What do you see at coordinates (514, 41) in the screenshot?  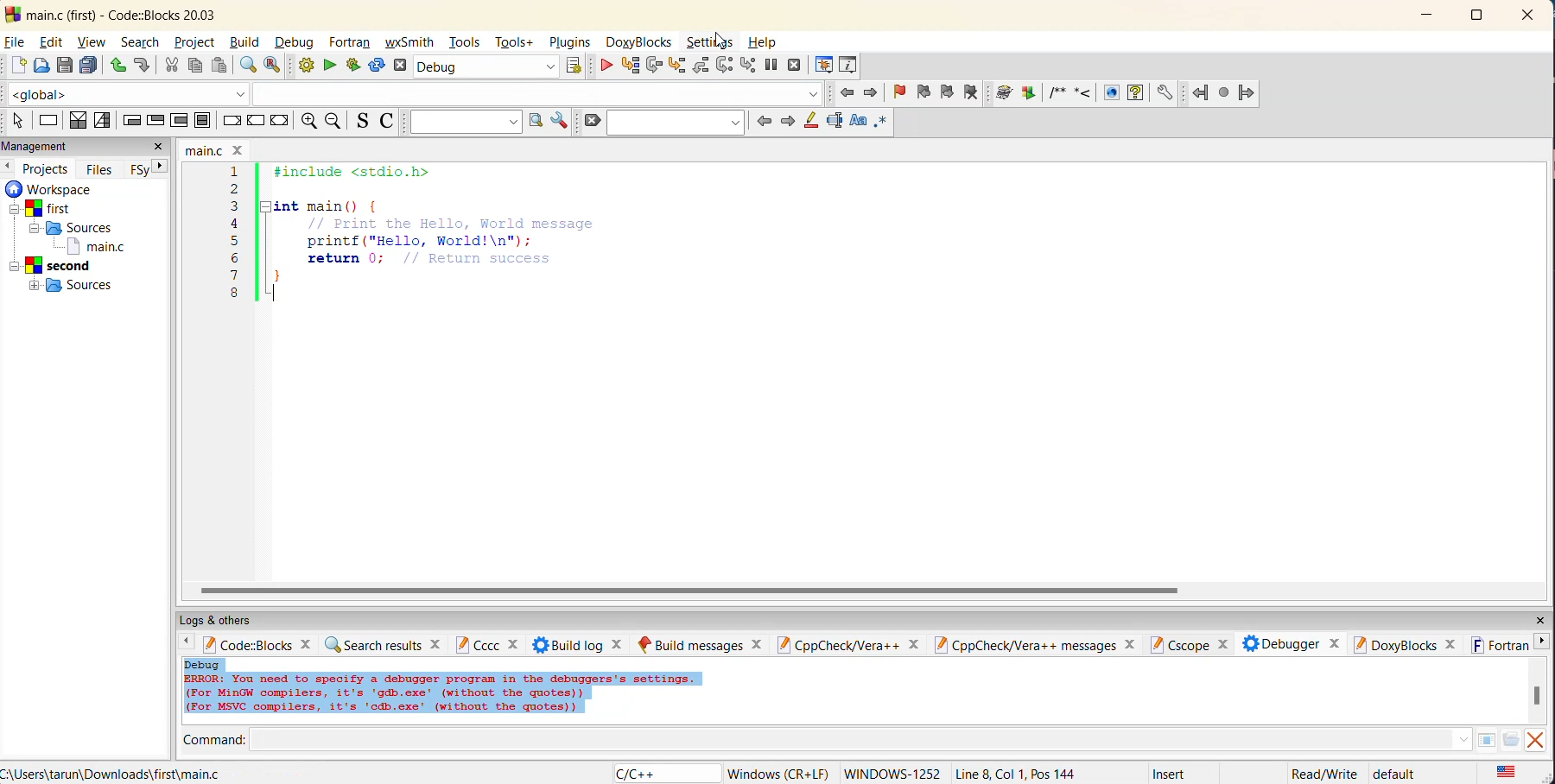 I see `tools+` at bounding box center [514, 41].